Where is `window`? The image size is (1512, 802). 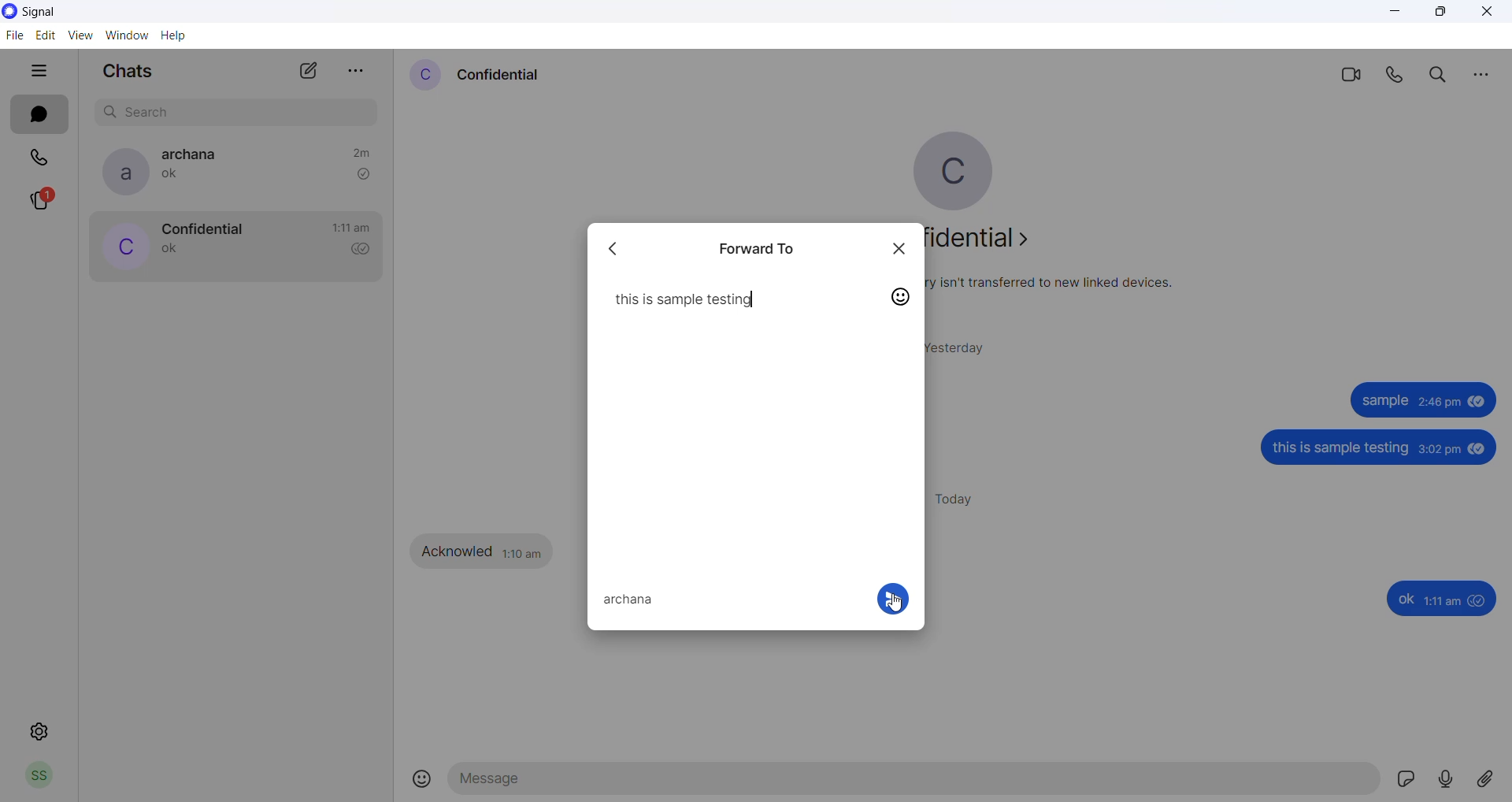
window is located at coordinates (130, 35).